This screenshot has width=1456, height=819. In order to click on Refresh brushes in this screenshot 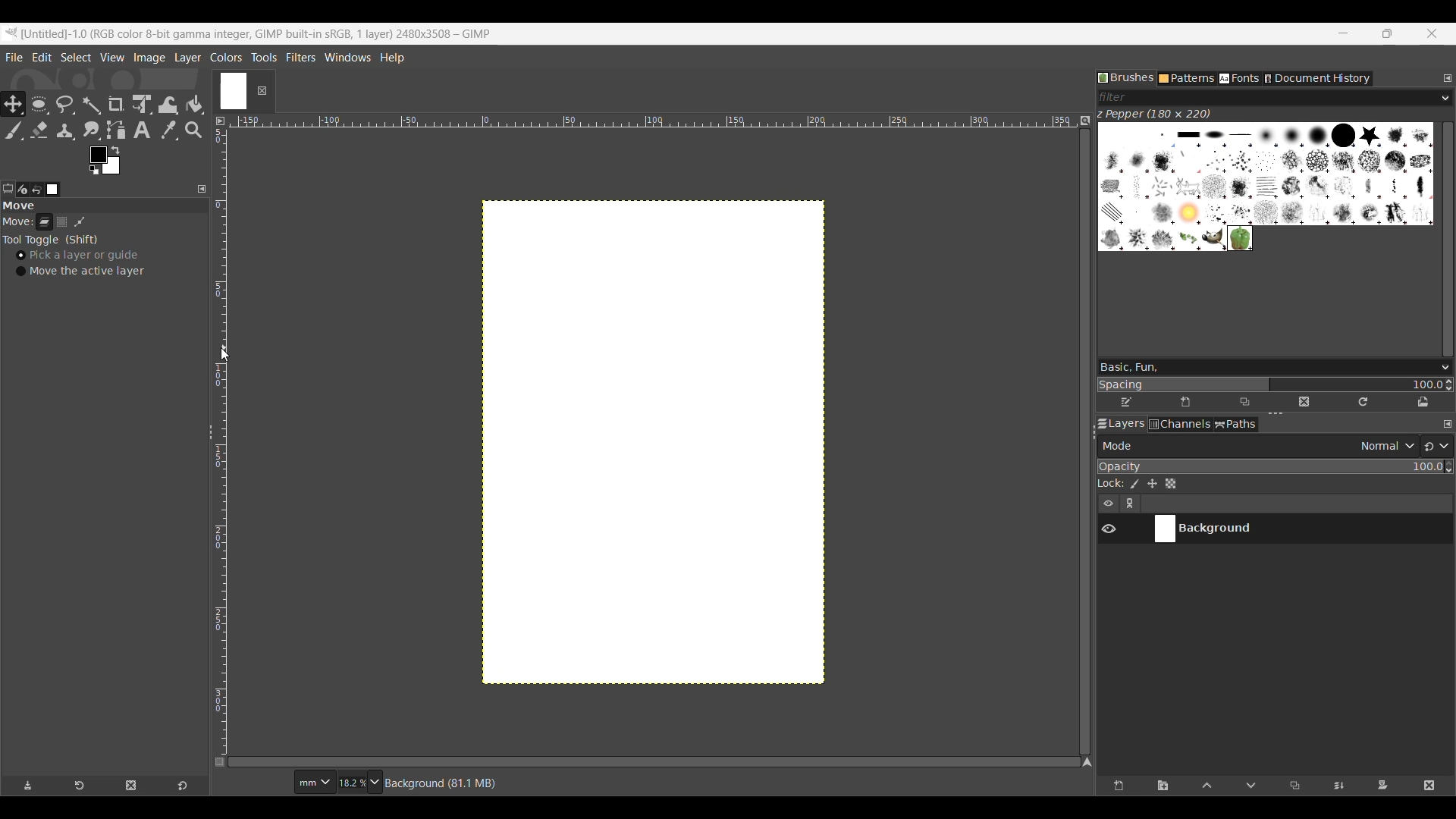, I will do `click(1363, 403)`.